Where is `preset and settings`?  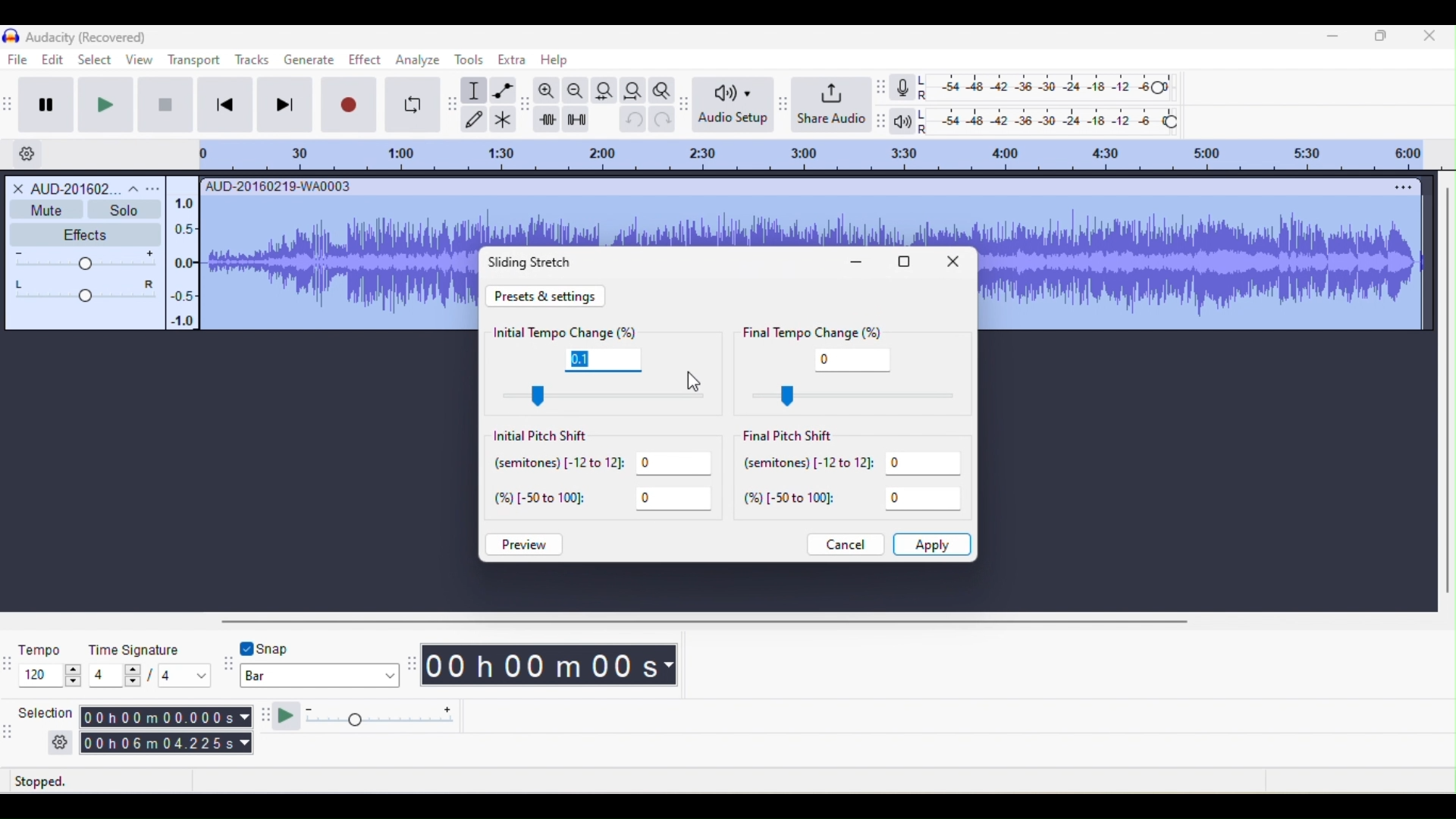 preset and settings is located at coordinates (548, 296).